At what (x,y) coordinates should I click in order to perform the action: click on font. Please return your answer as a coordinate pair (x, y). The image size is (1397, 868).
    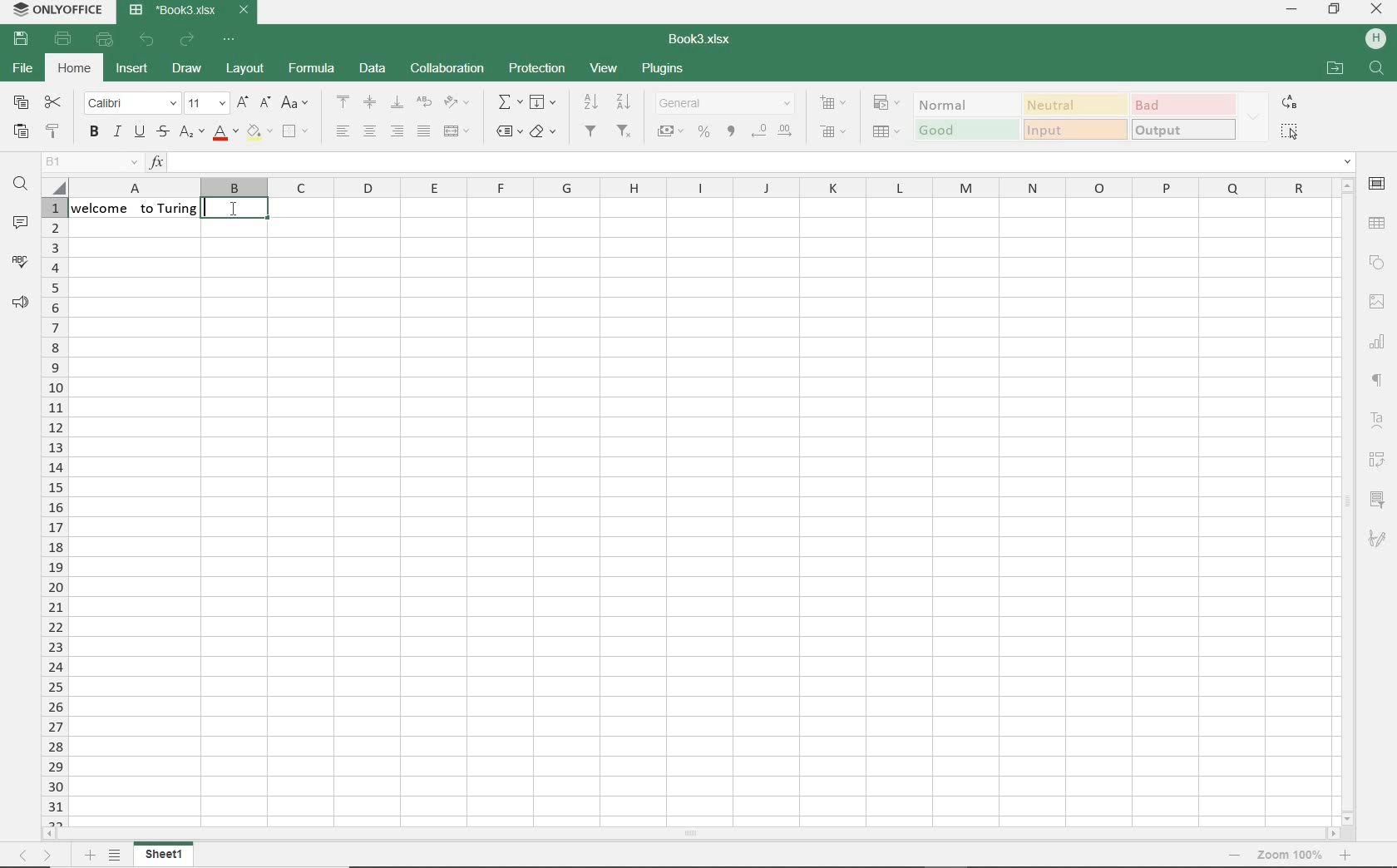
    Looking at the image, I should click on (130, 103).